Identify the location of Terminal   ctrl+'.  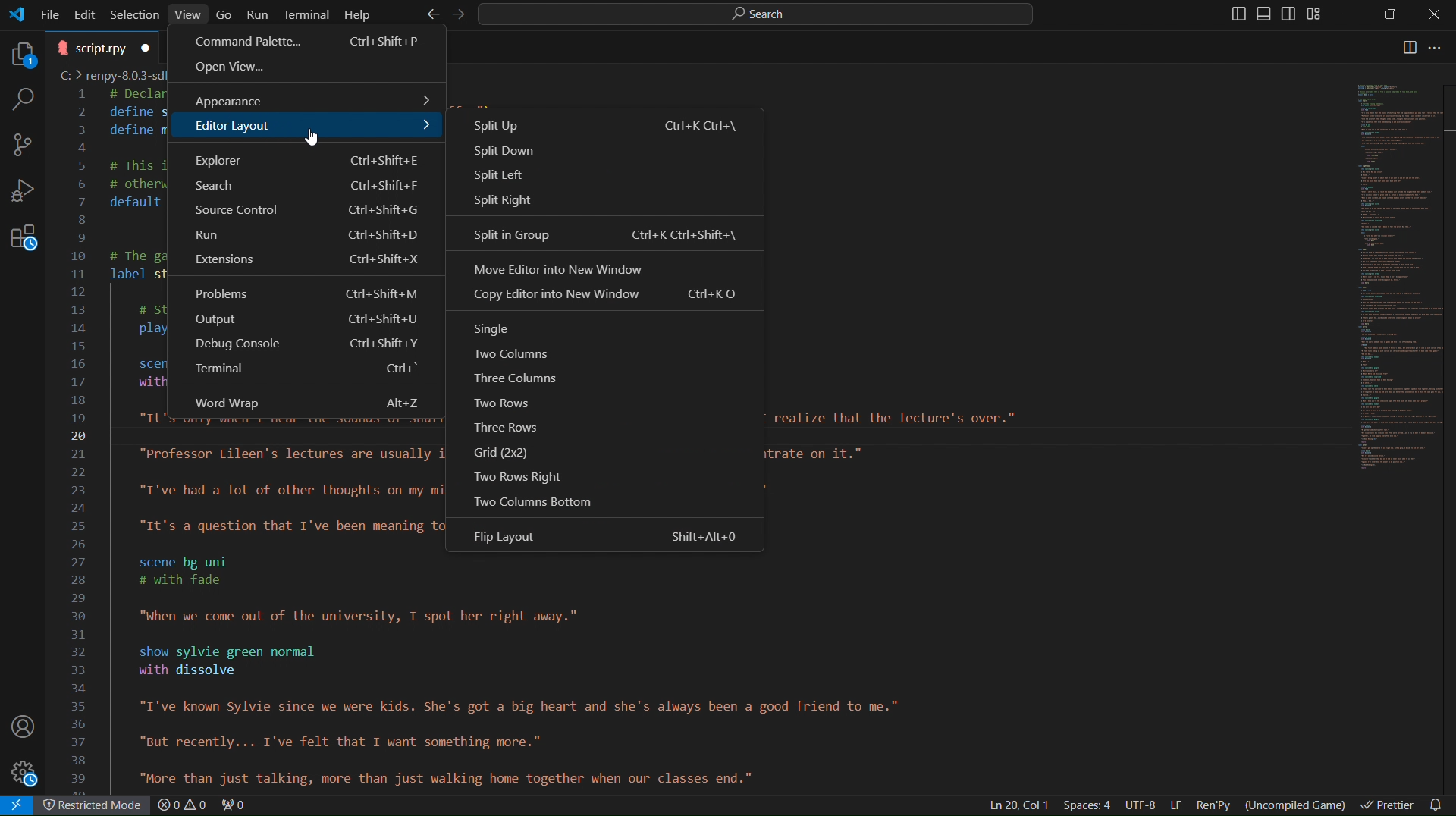
(309, 374).